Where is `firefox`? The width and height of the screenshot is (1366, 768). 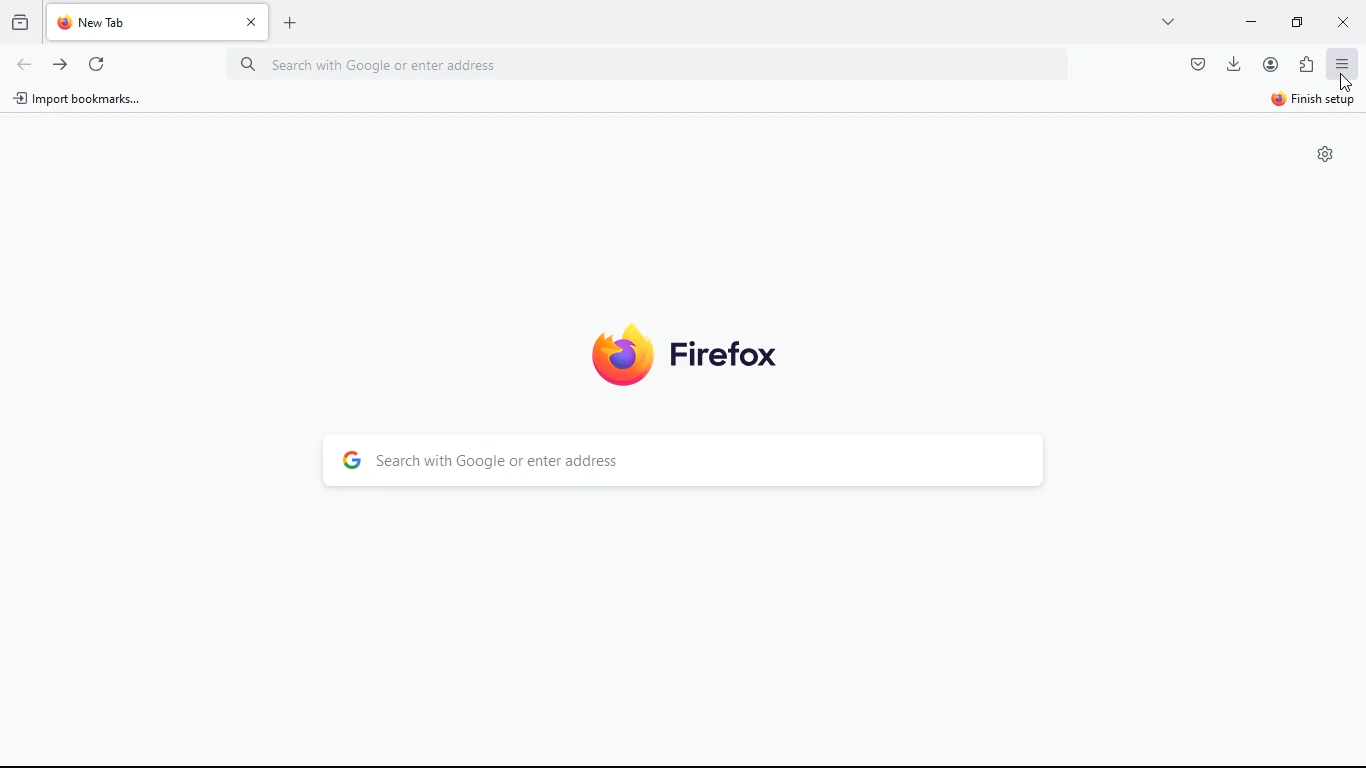 firefox is located at coordinates (691, 357).